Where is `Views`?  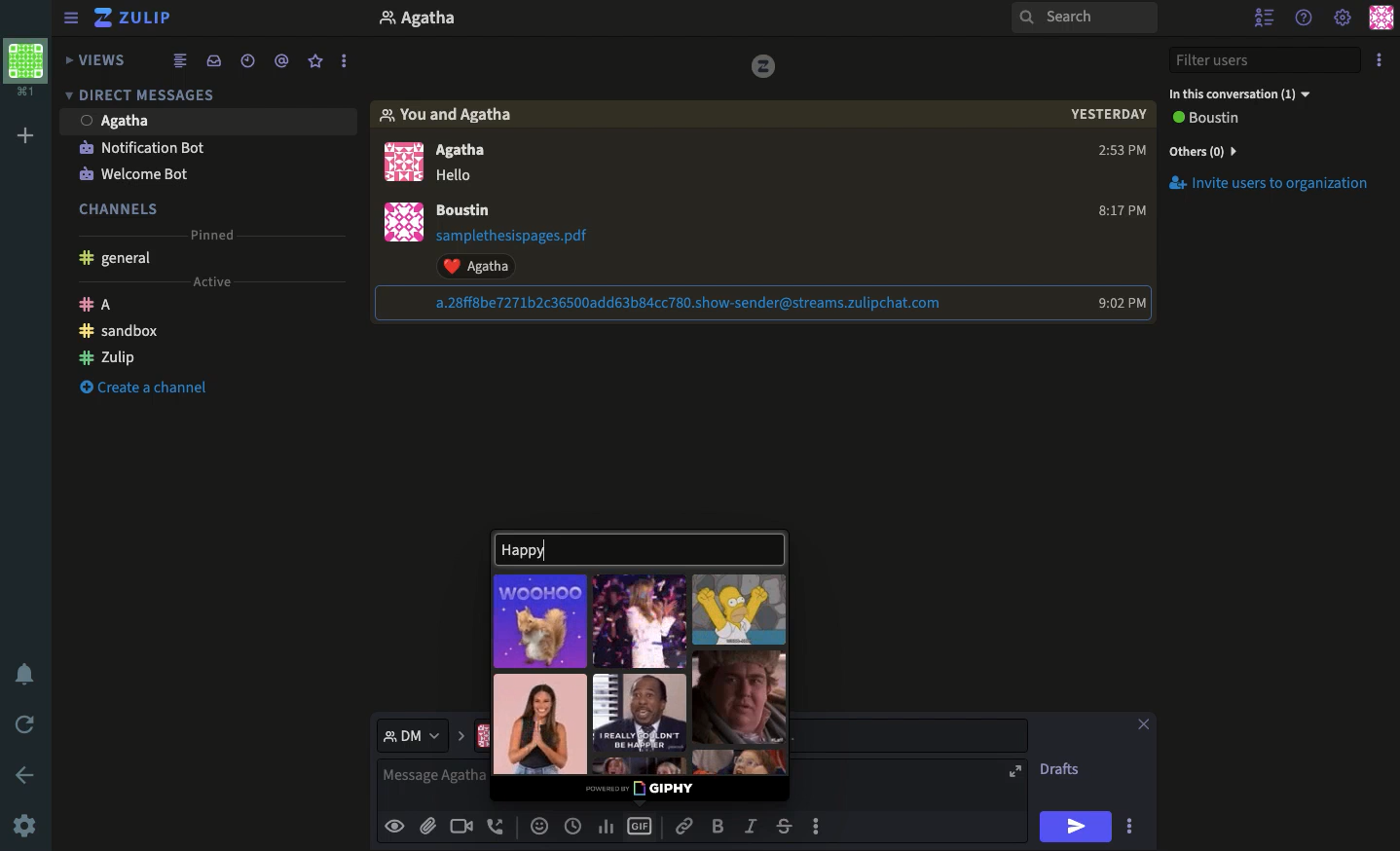
Views is located at coordinates (95, 59).